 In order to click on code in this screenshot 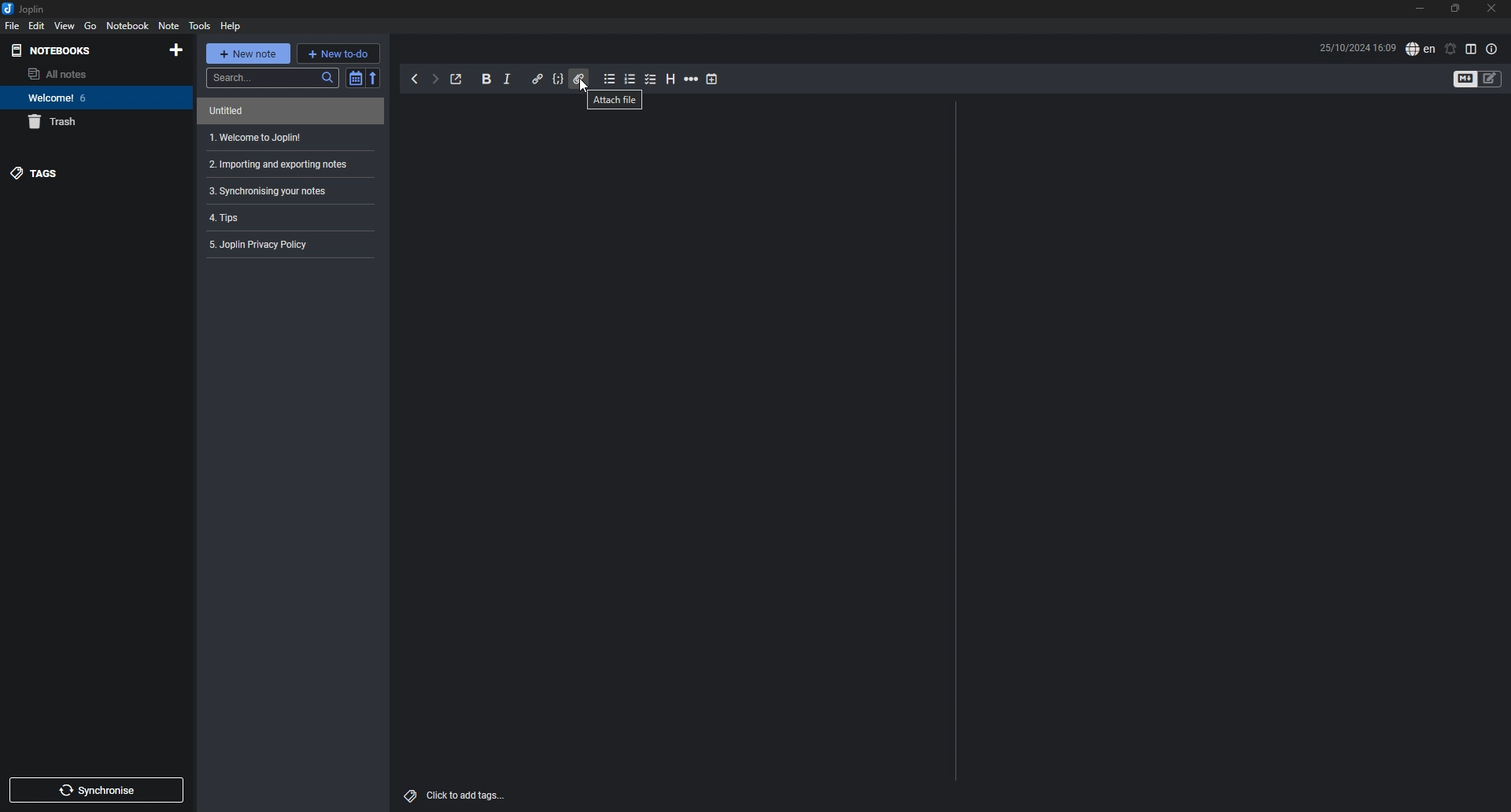, I will do `click(558, 79)`.